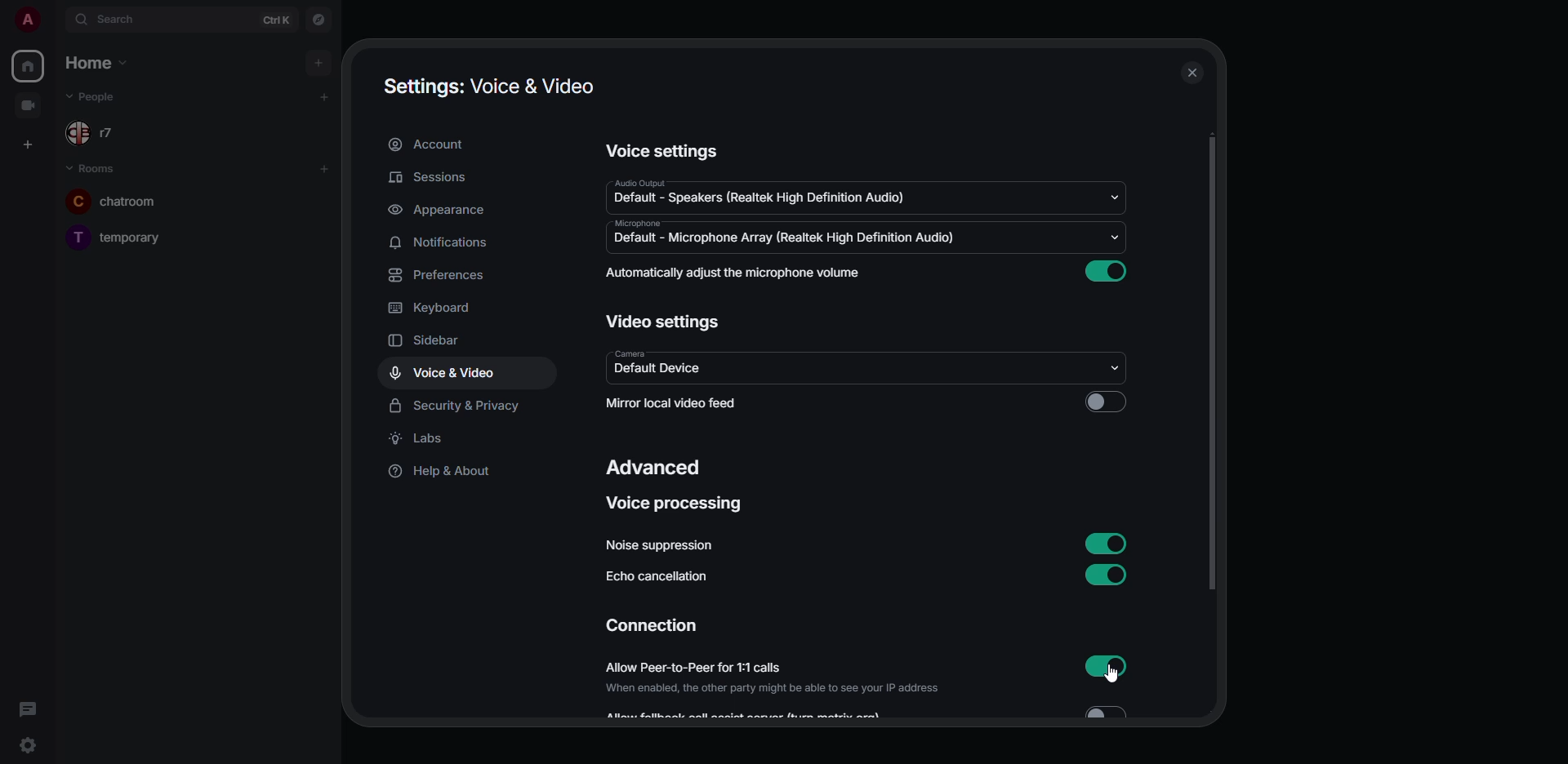 The height and width of the screenshot is (764, 1568). Describe the element at coordinates (29, 144) in the screenshot. I see `create space` at that location.